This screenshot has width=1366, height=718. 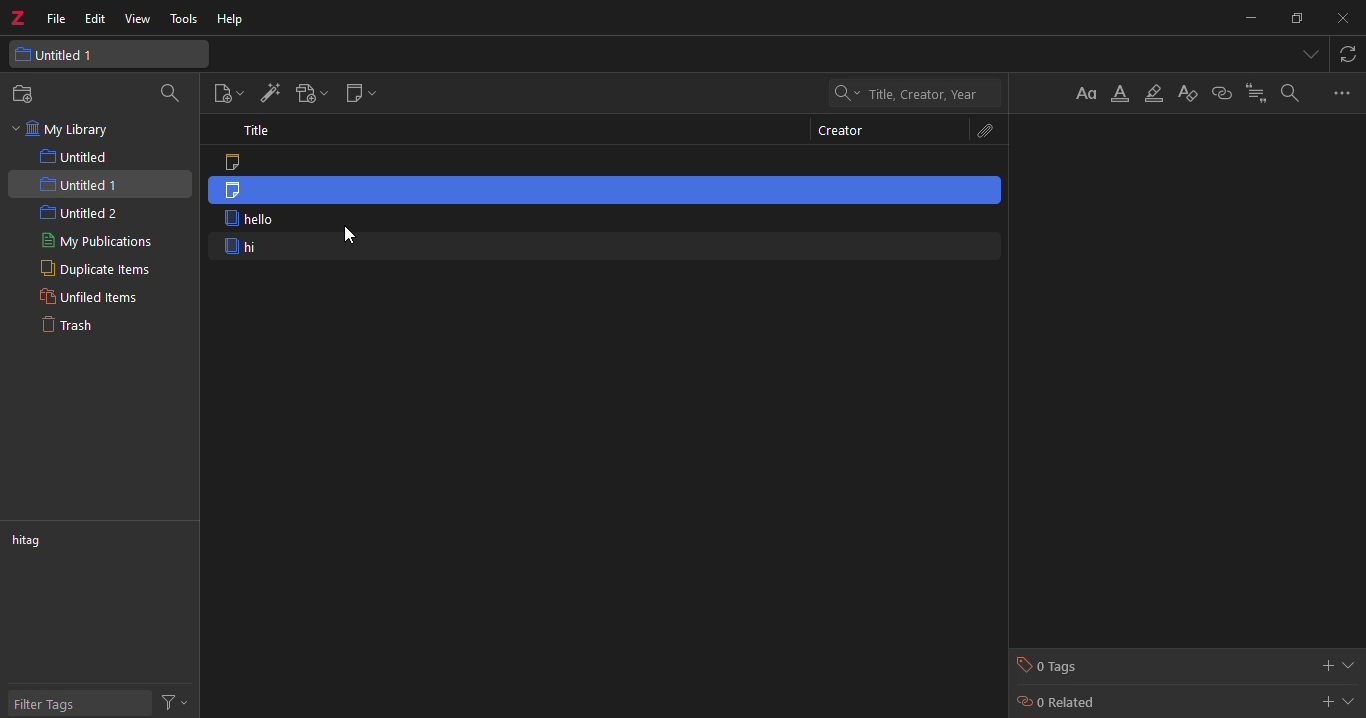 I want to click on z, so click(x=20, y=21).